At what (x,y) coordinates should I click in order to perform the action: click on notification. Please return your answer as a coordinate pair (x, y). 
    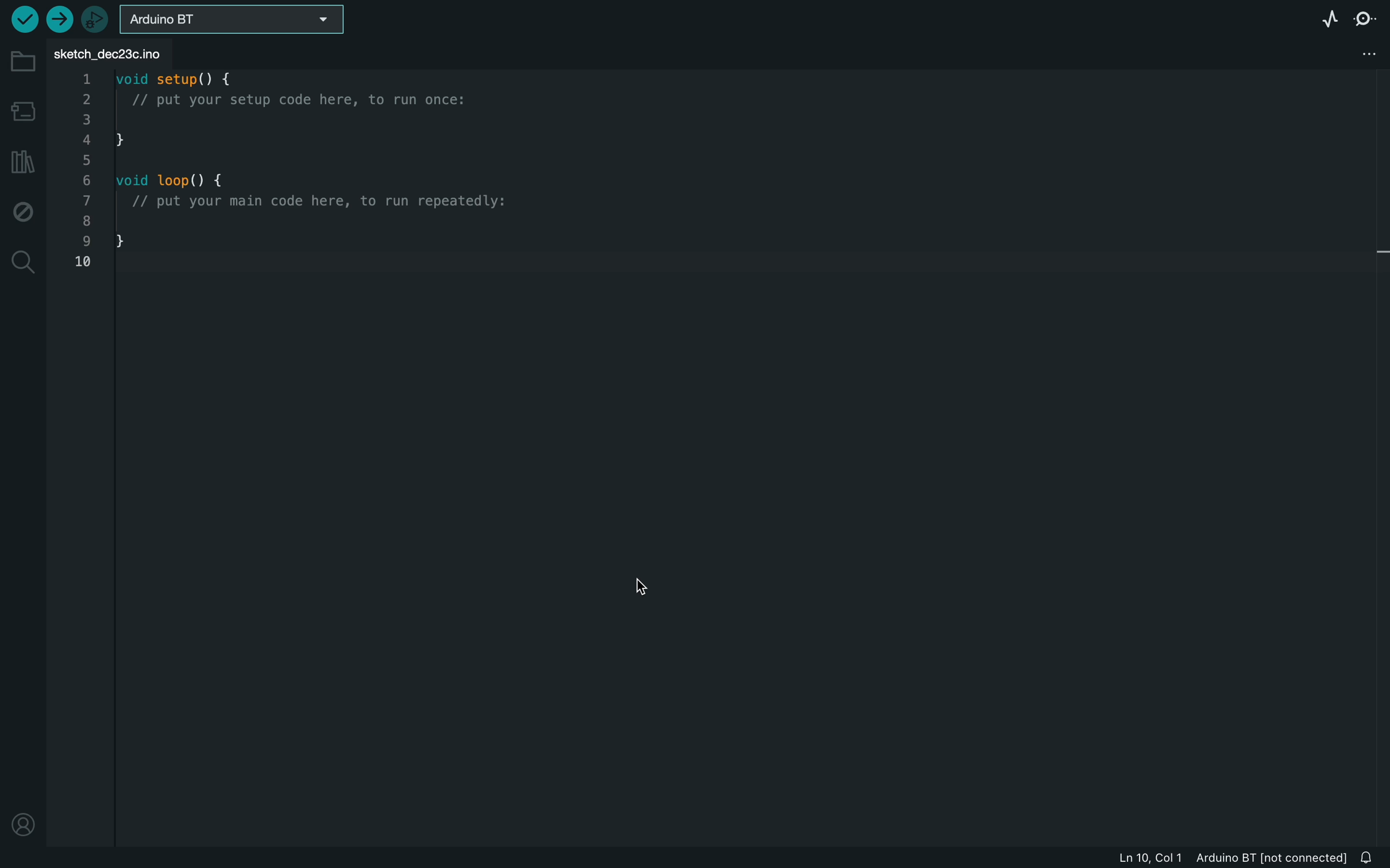
    Looking at the image, I should click on (1372, 858).